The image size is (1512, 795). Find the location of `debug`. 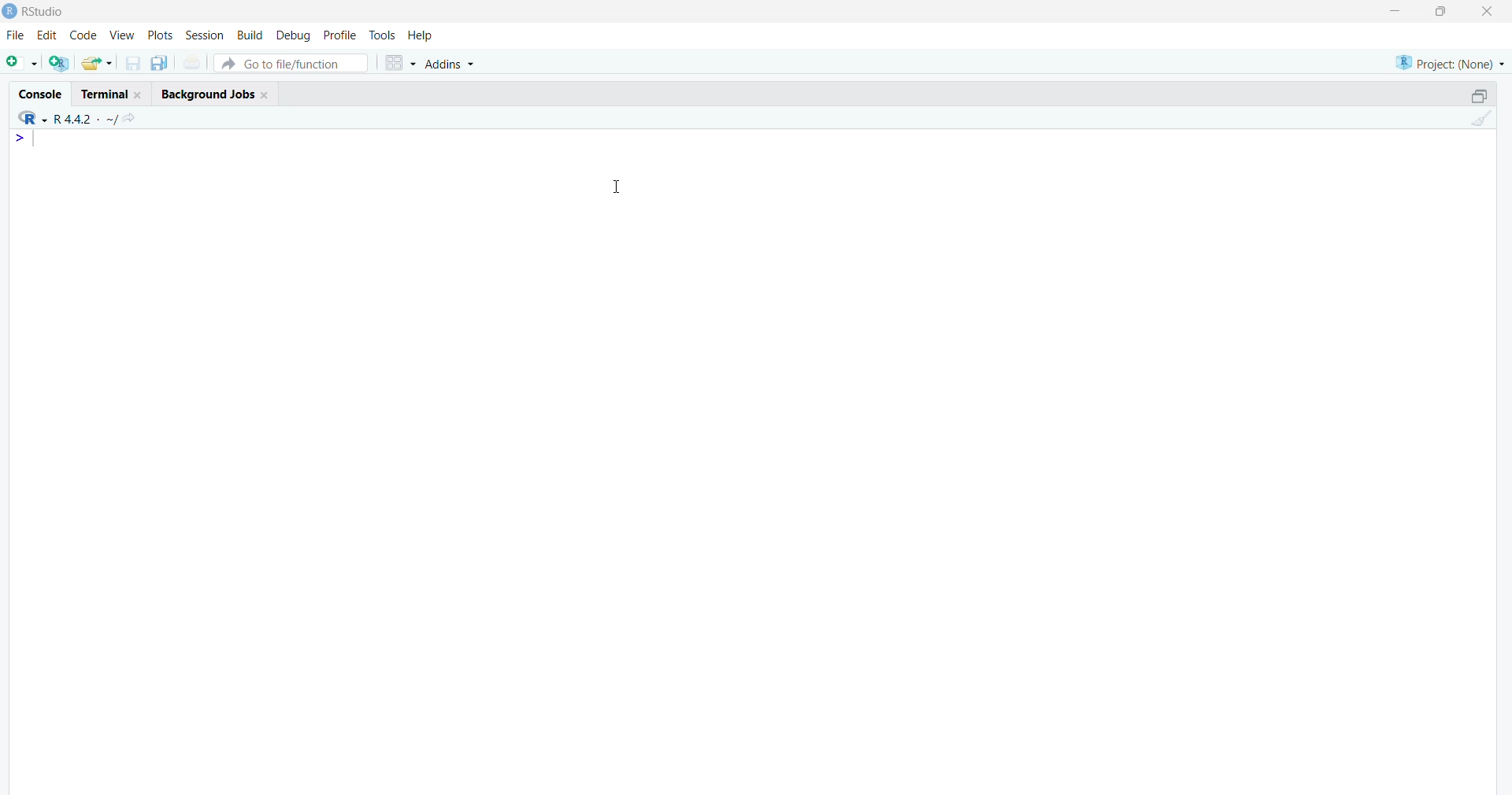

debug is located at coordinates (294, 35).